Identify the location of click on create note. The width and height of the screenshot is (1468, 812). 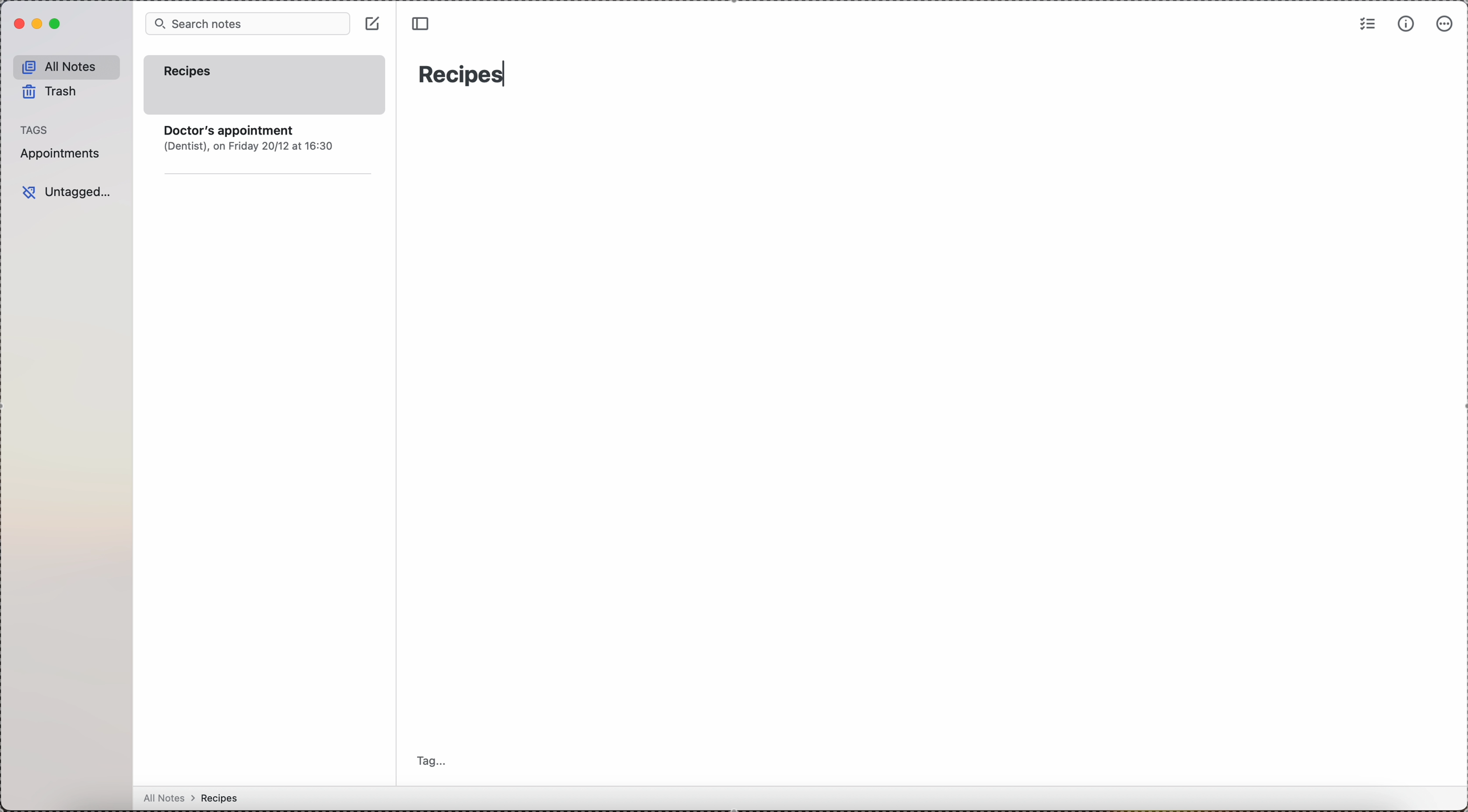
(372, 24).